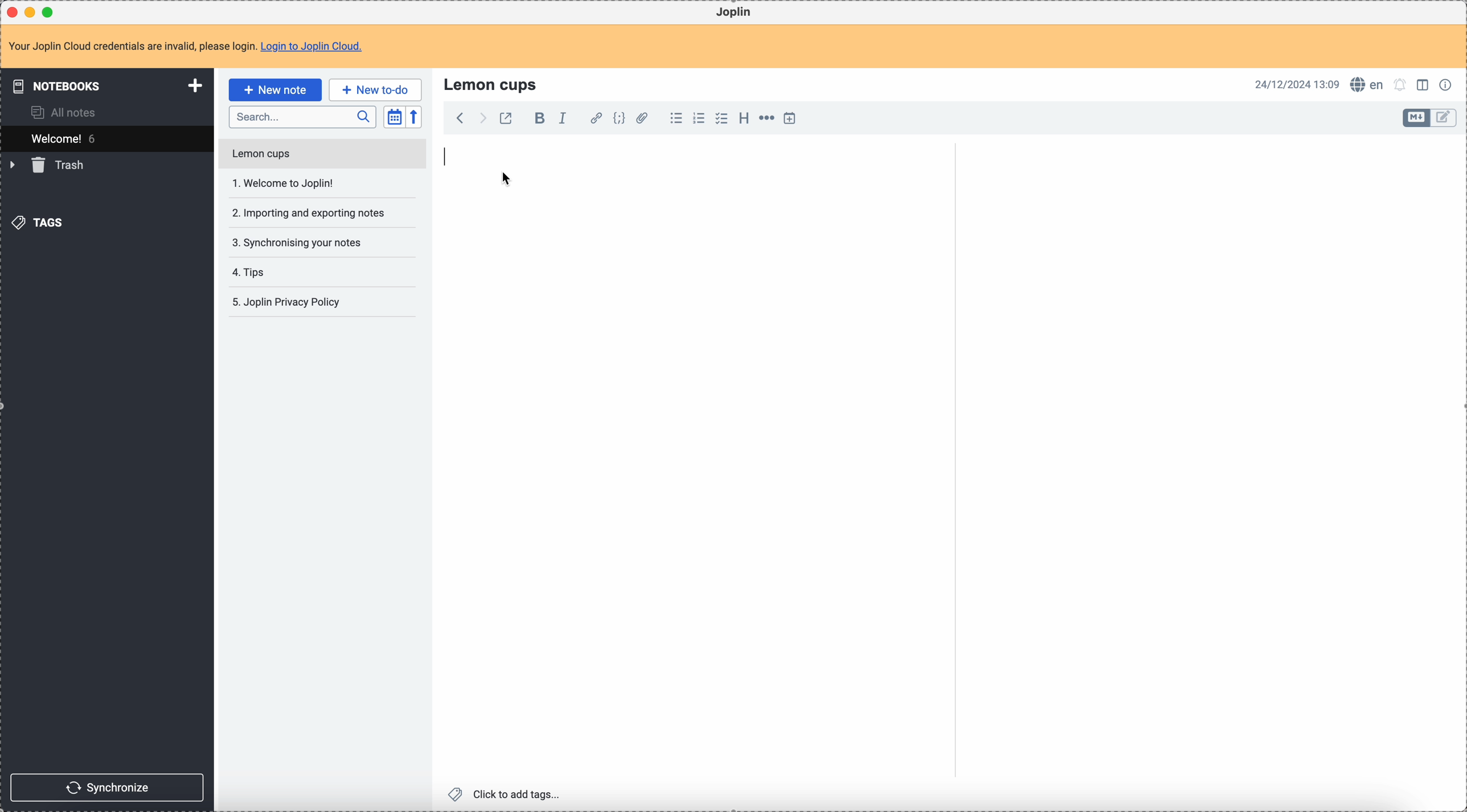 This screenshot has width=1467, height=812. Describe the element at coordinates (1444, 118) in the screenshot. I see `toggle edit layout` at that location.